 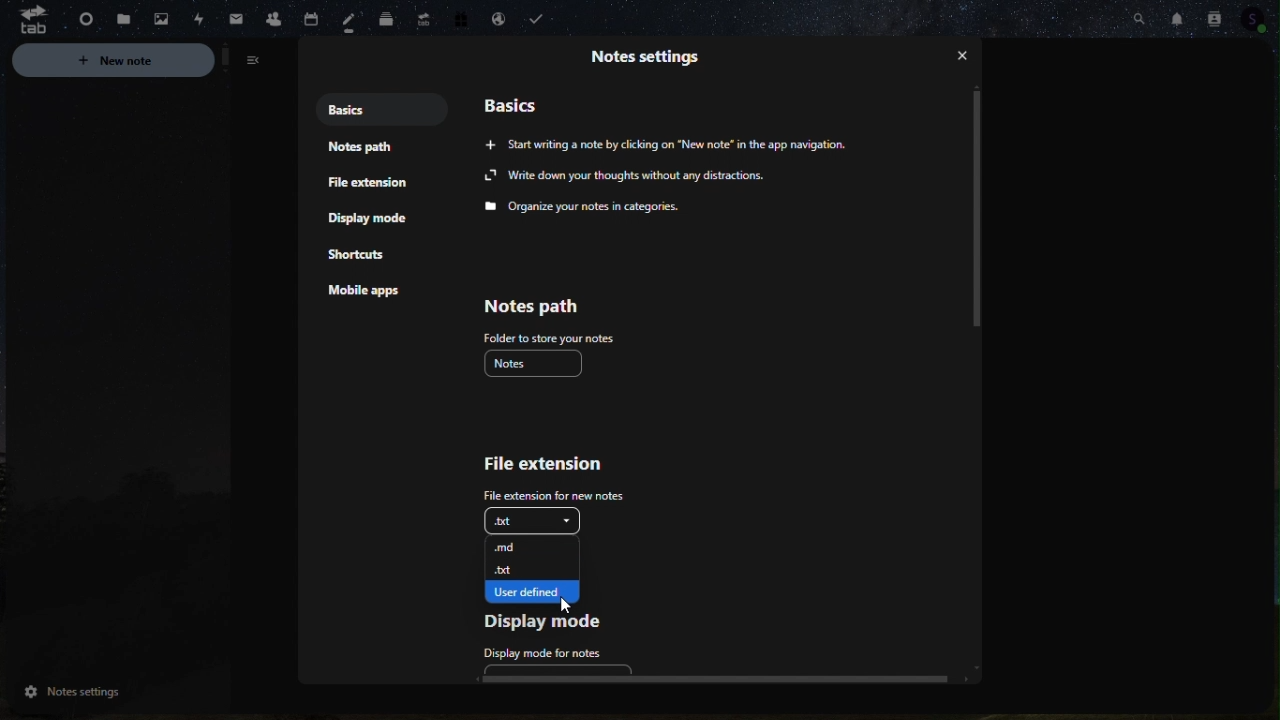 What do you see at coordinates (235, 15) in the screenshot?
I see `` at bounding box center [235, 15].